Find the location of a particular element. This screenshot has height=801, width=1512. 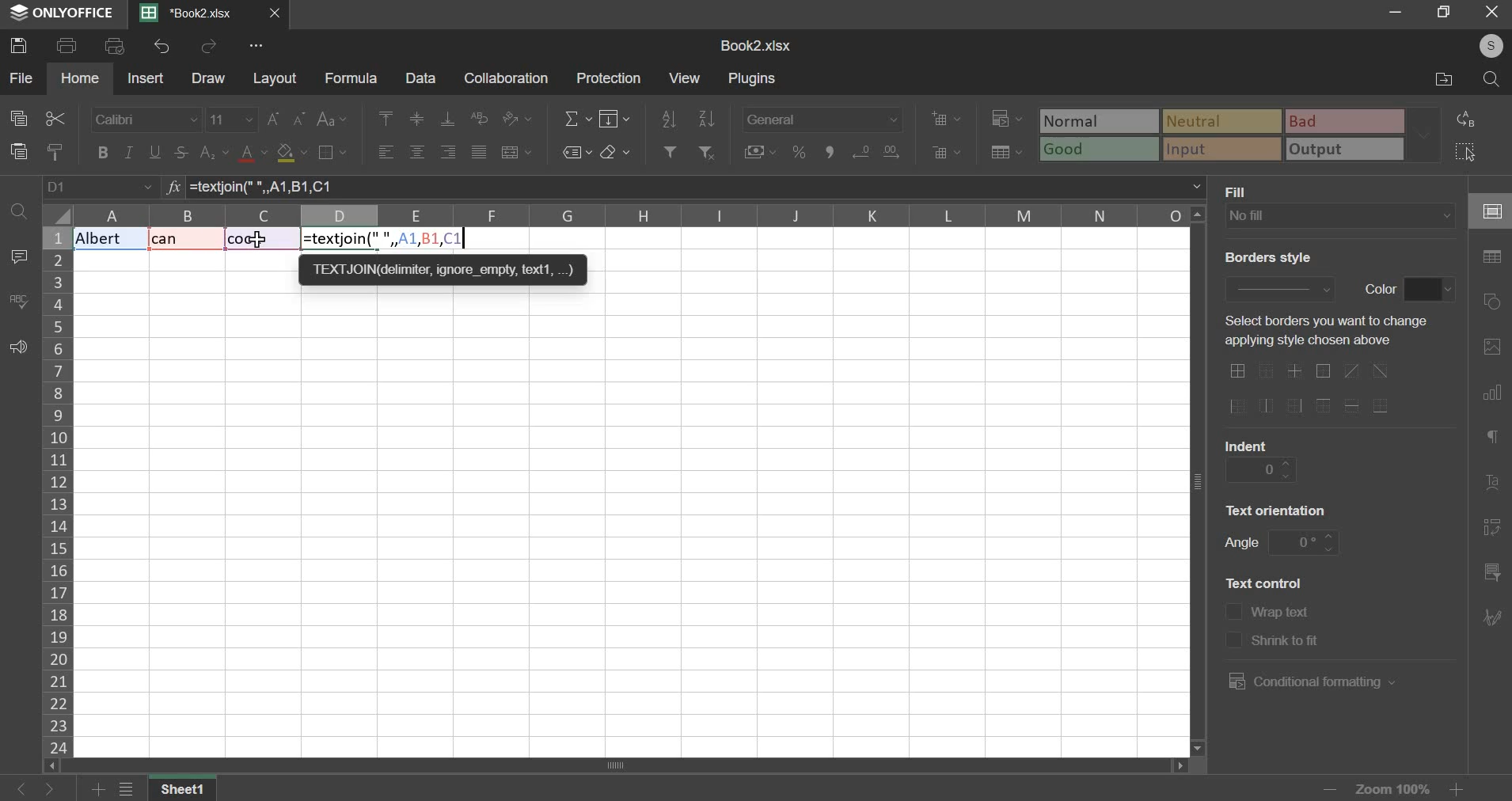

change case is located at coordinates (331, 120).